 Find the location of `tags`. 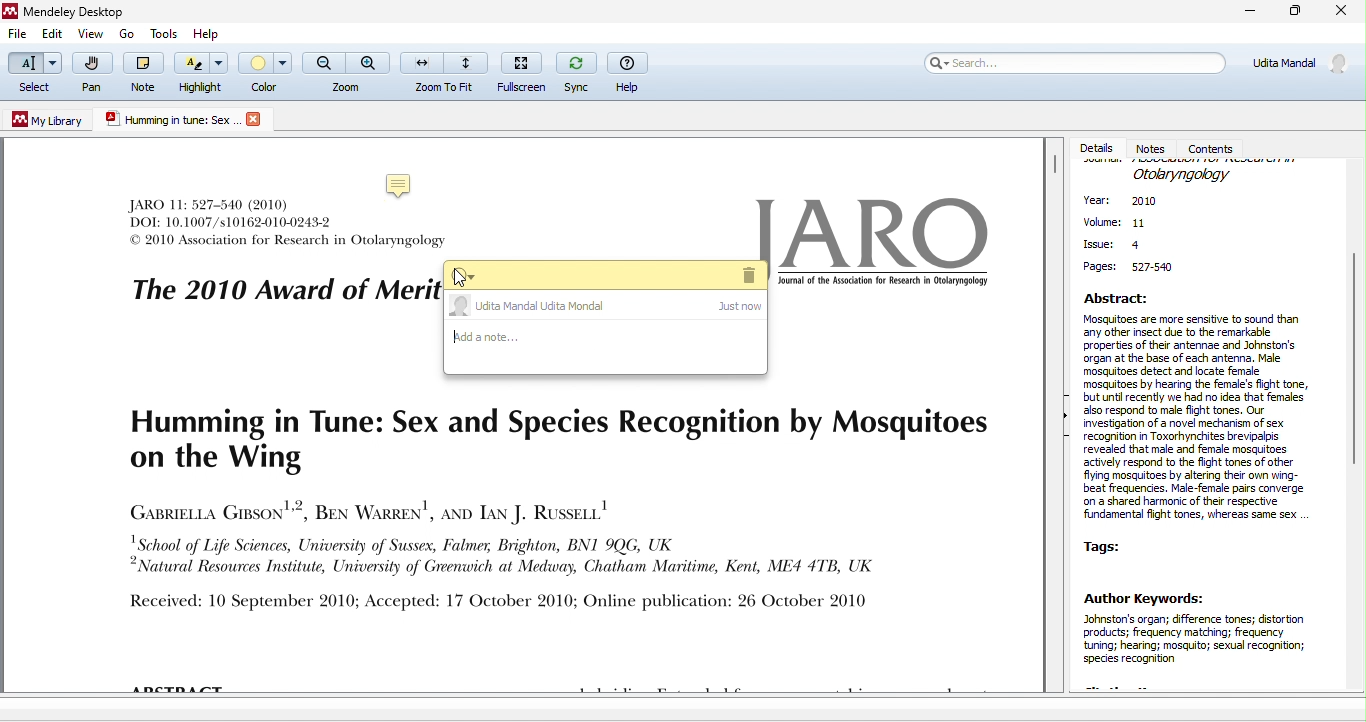

tags is located at coordinates (1111, 546).